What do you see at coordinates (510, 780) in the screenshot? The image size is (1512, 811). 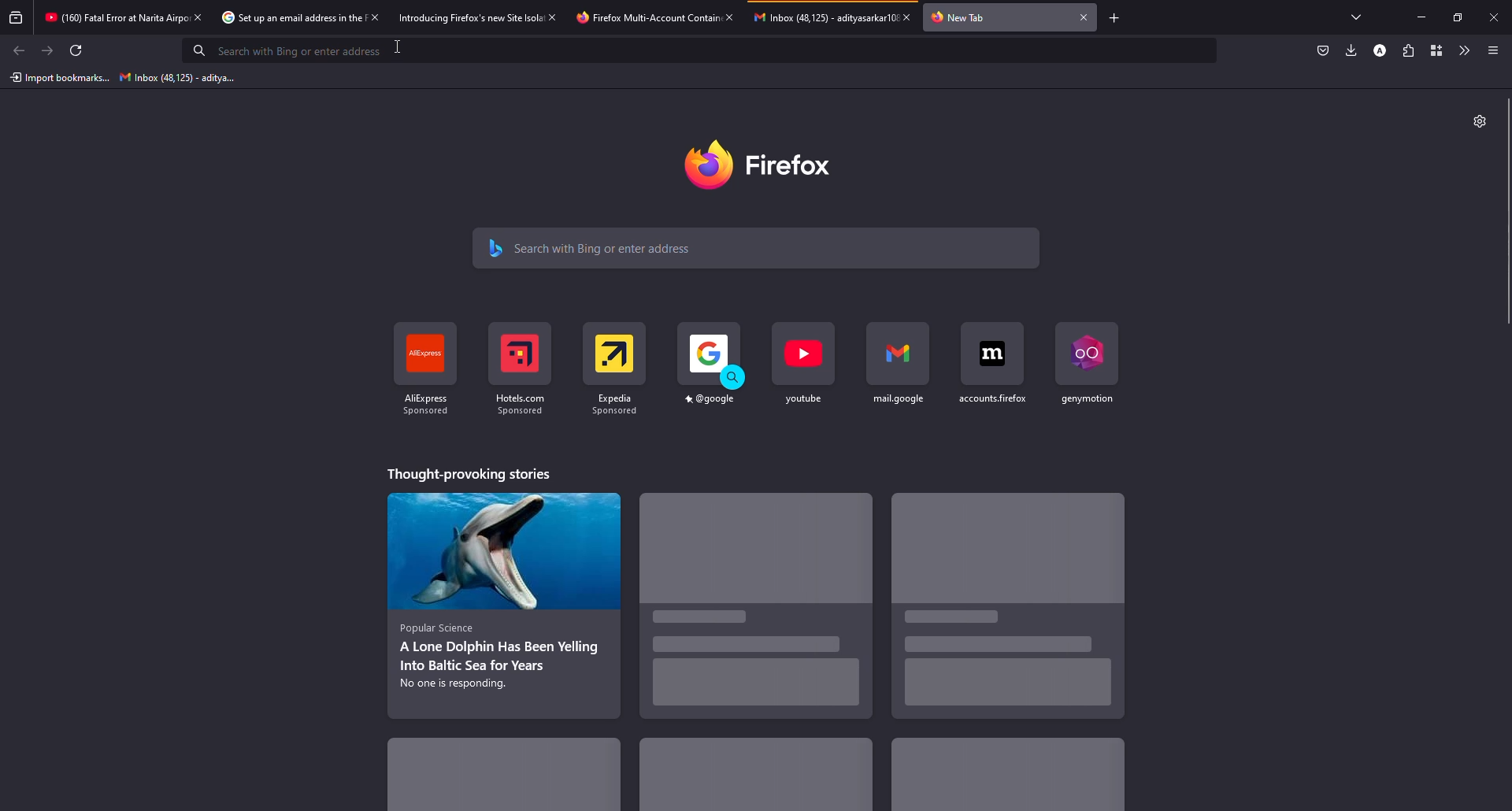 I see `stories` at bounding box center [510, 780].